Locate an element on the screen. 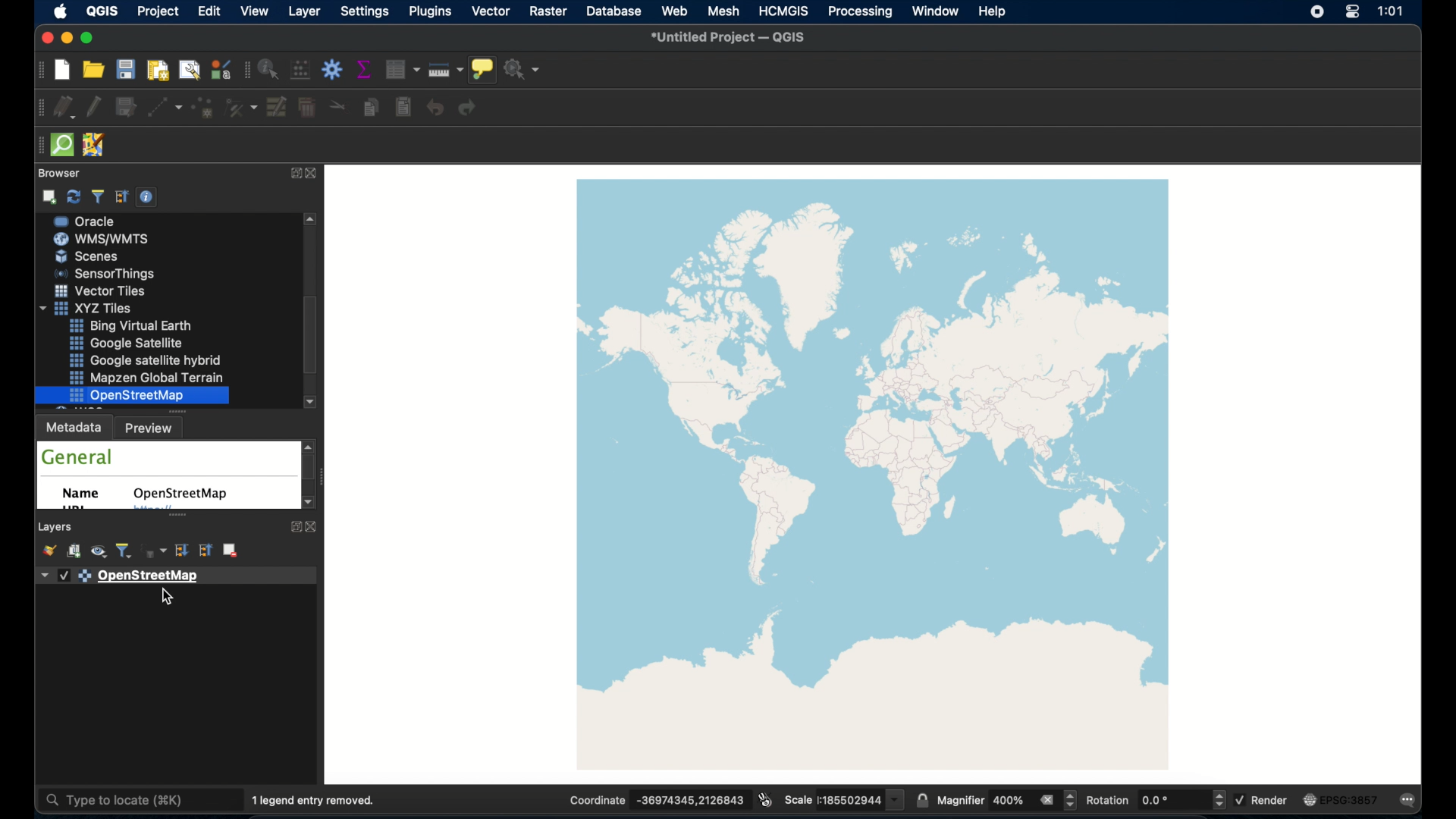 Image resolution: width=1456 pixels, height=819 pixels. ms sql server is located at coordinates (111, 256).